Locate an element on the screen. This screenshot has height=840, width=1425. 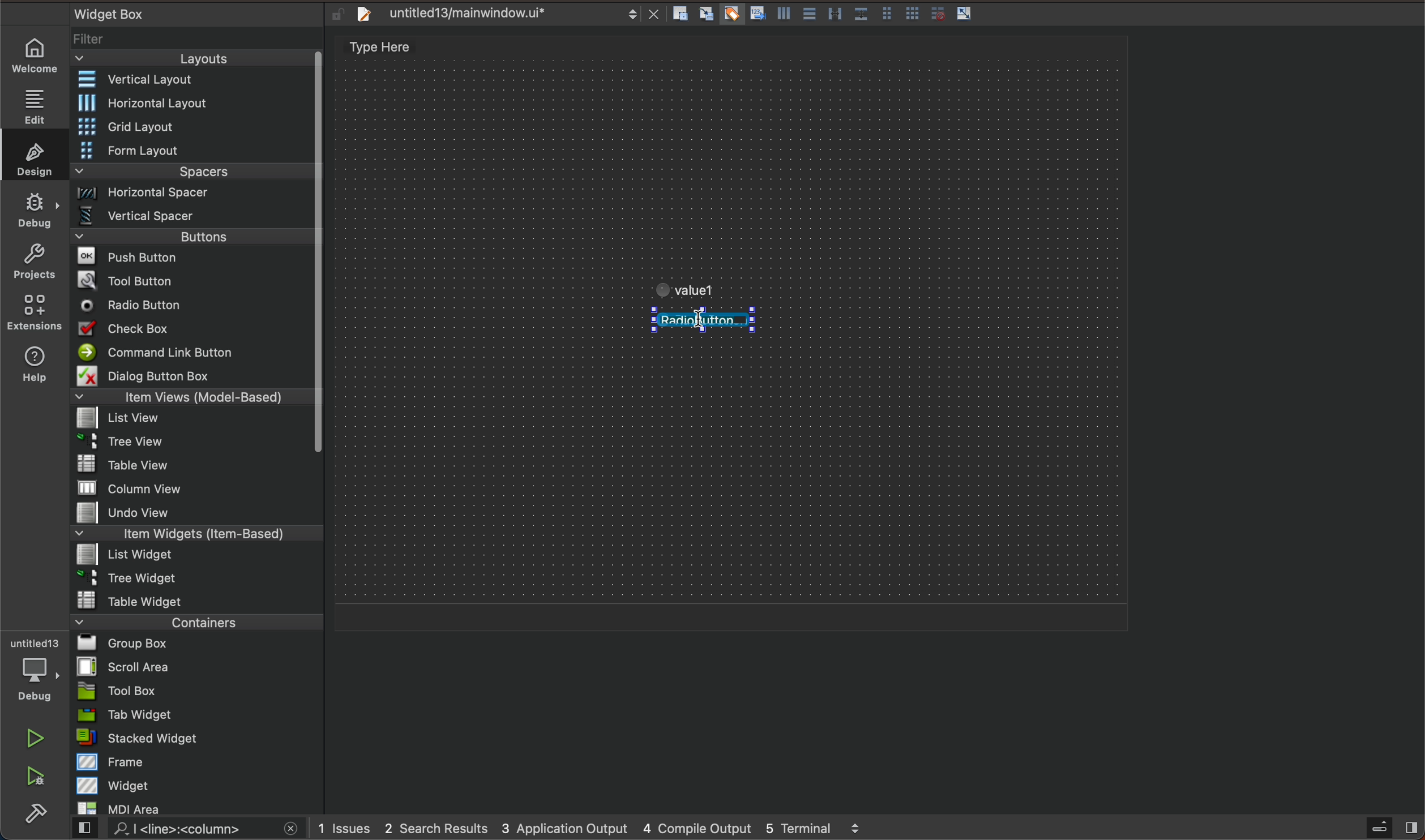
table view is located at coordinates (197, 465).